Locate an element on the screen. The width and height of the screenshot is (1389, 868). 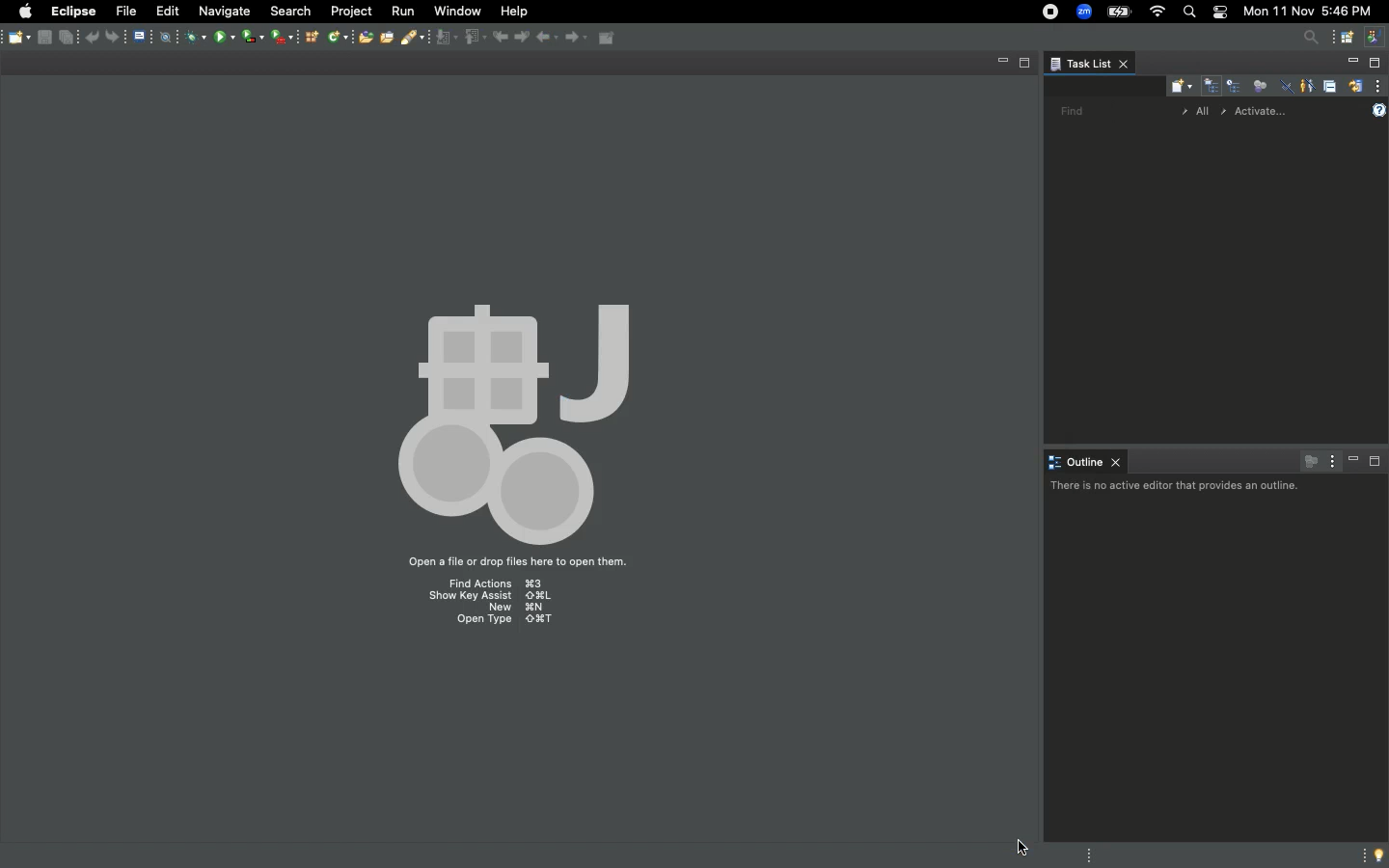
Project is located at coordinates (351, 11).